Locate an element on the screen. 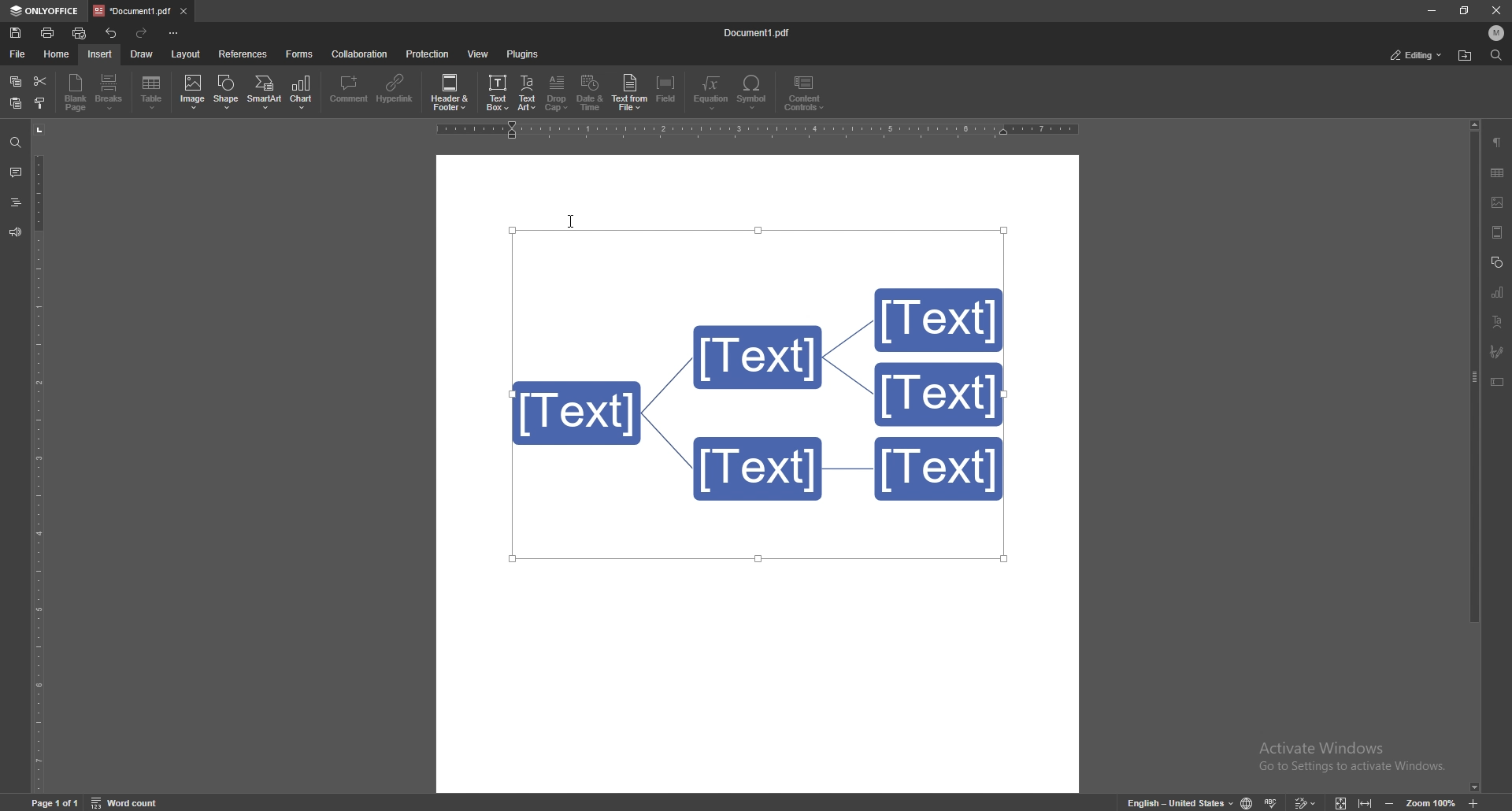  text box is located at coordinates (498, 91).